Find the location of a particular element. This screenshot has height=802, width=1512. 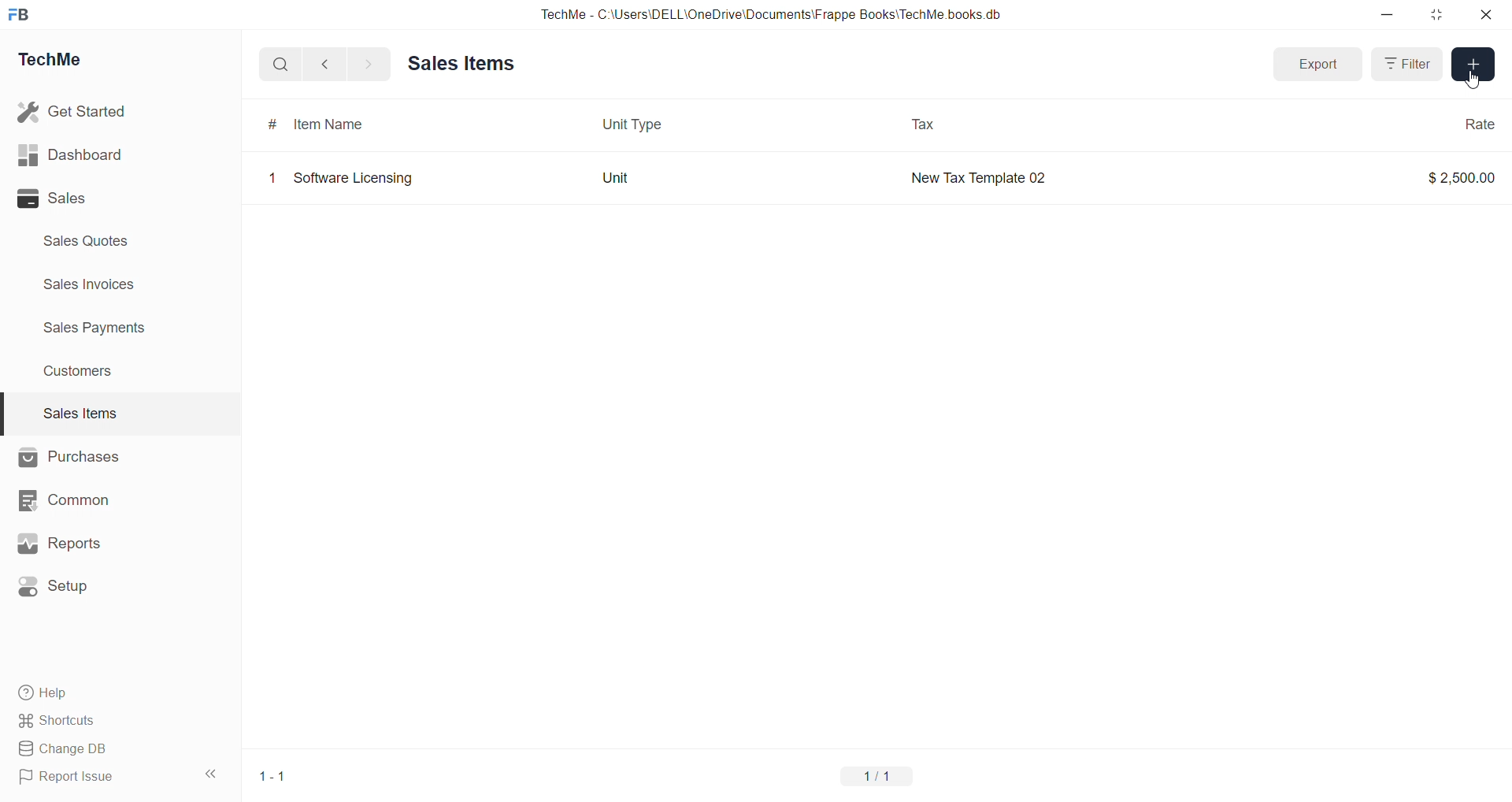

FB is located at coordinates (22, 14).